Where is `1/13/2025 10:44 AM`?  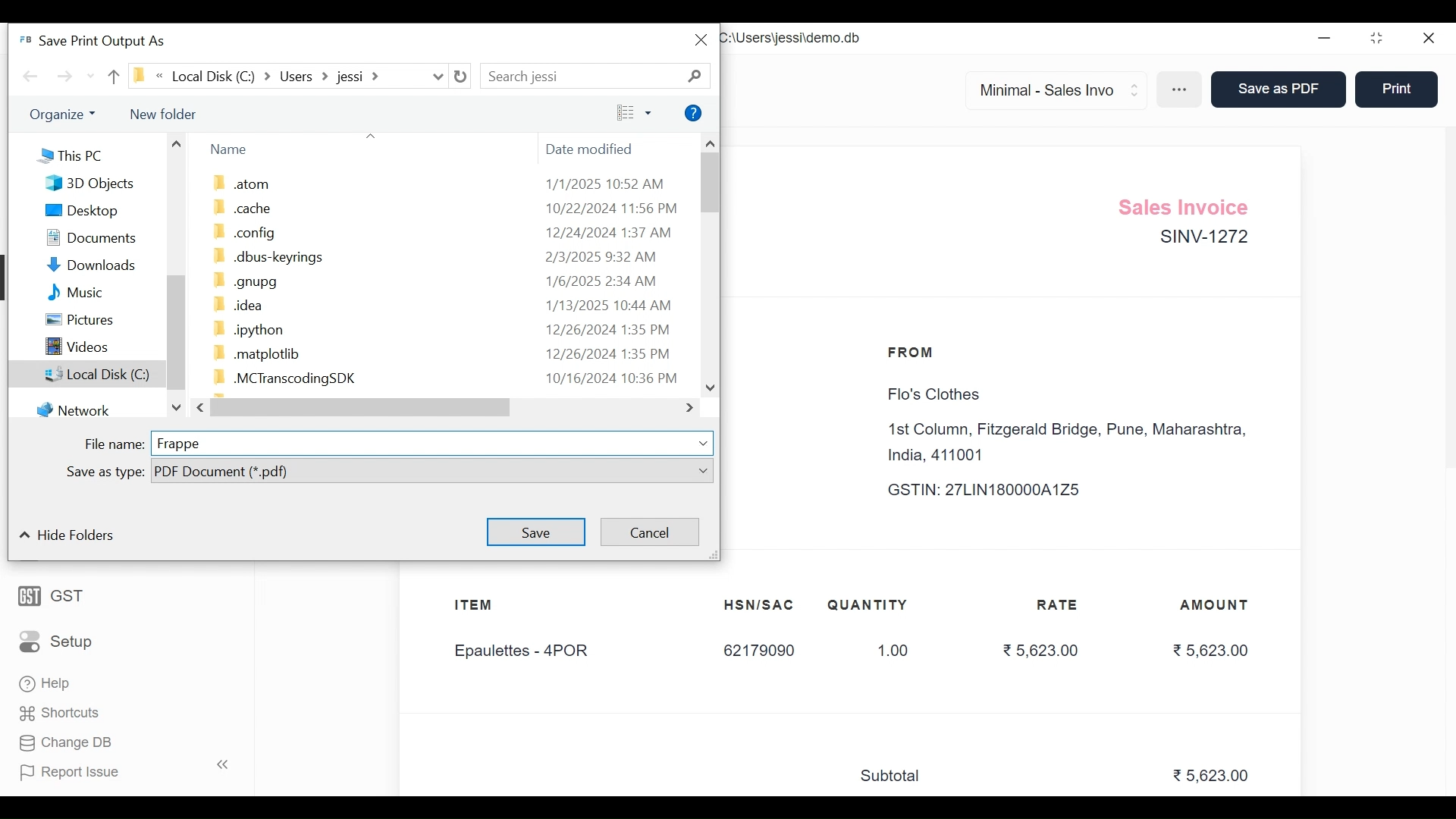
1/13/2025 10:44 AM is located at coordinates (610, 303).